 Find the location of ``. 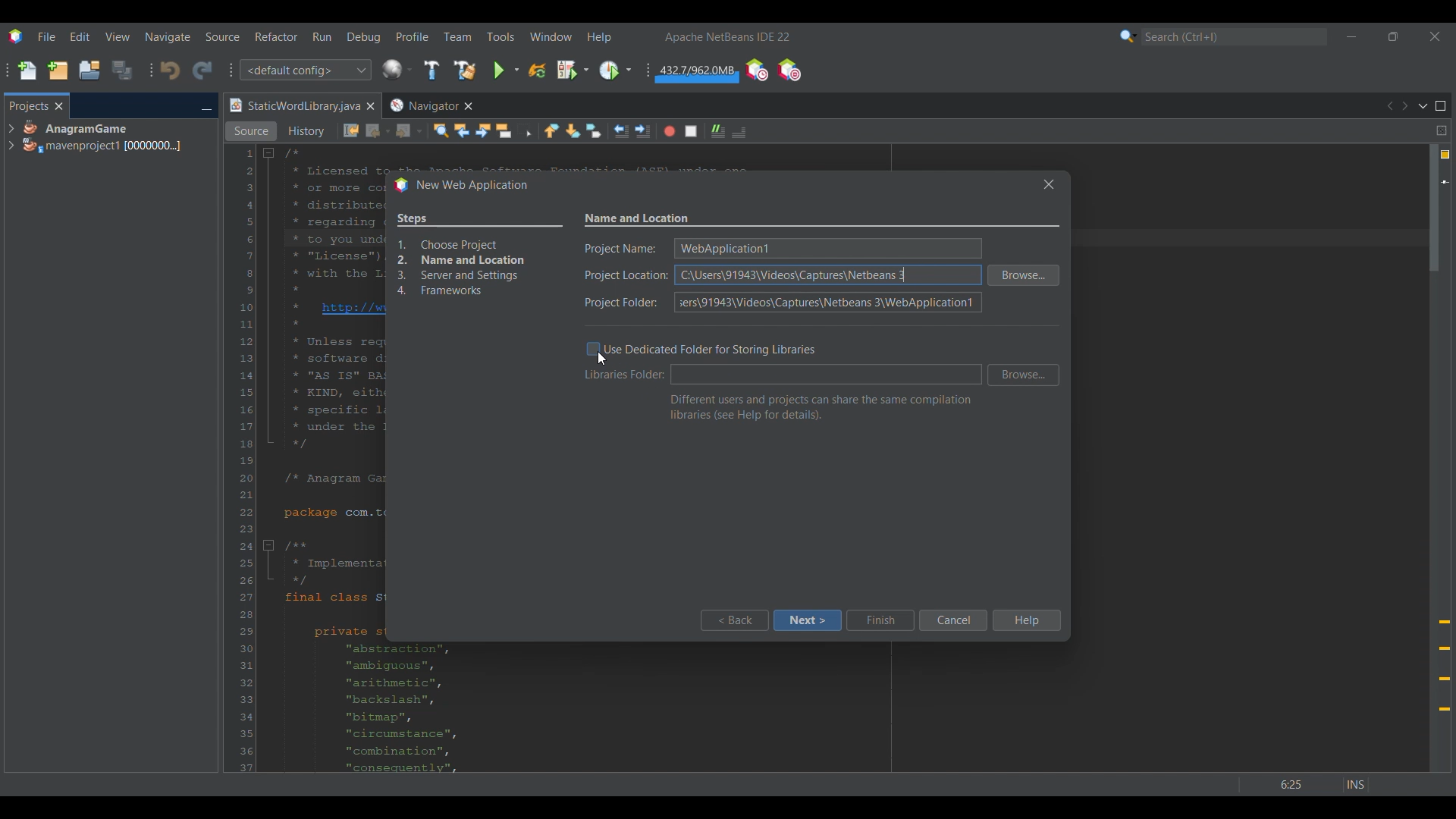

 is located at coordinates (1313, 780).